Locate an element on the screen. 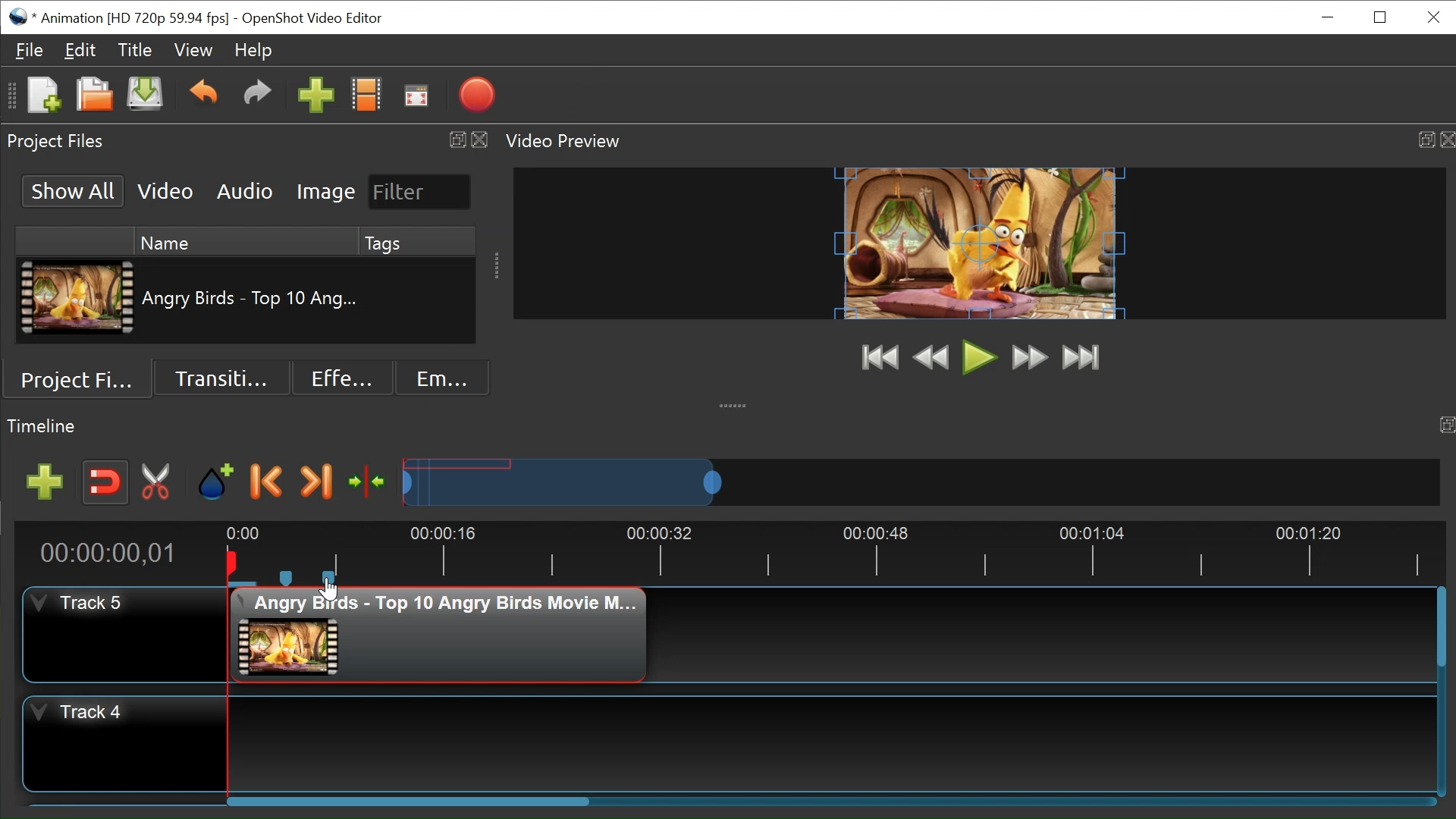 The height and width of the screenshot is (819, 1456). Open Project is located at coordinates (94, 97).